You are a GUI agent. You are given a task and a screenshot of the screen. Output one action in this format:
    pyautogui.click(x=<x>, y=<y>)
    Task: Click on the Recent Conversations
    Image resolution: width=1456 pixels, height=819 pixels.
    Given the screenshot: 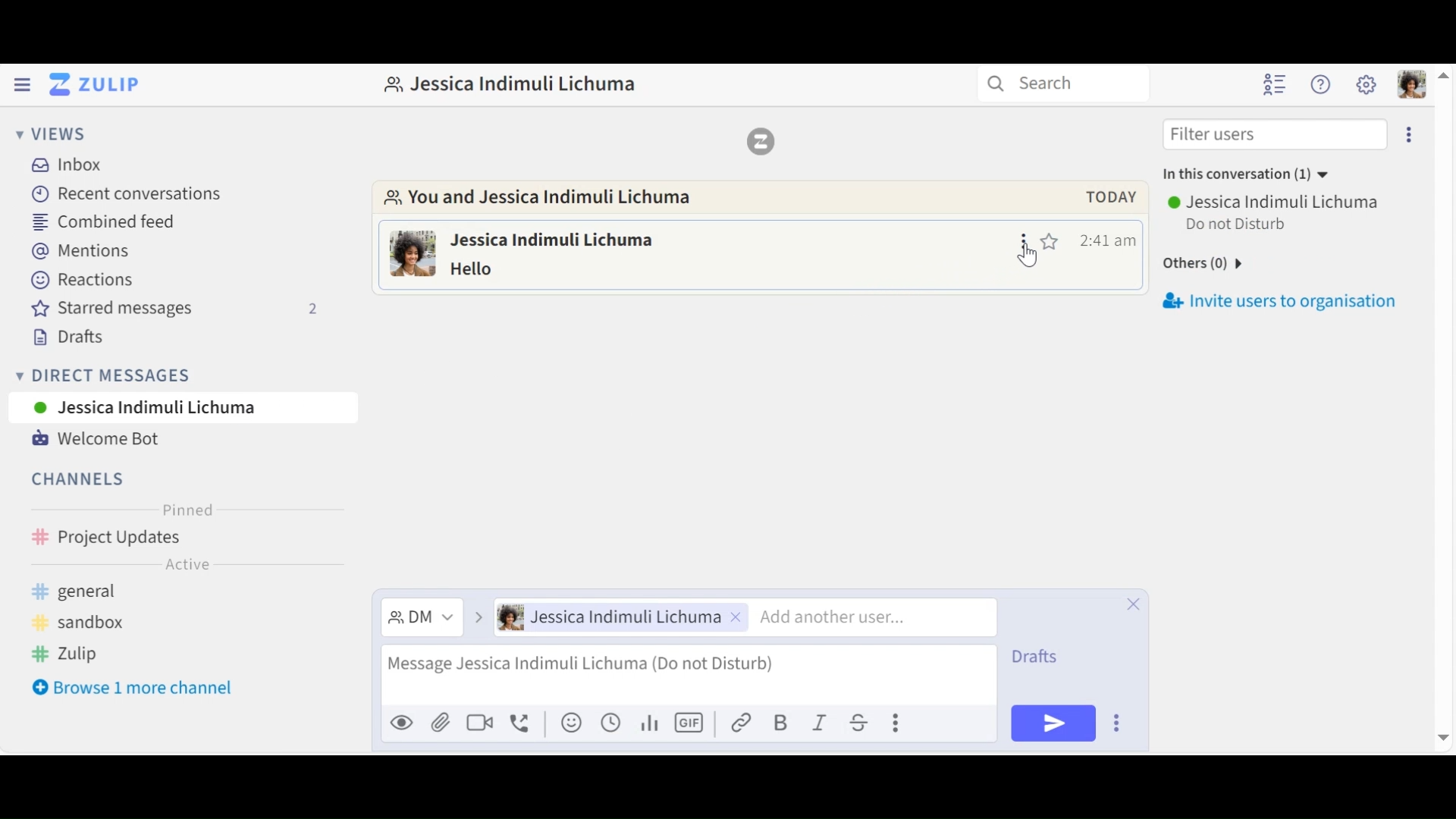 What is the action you would take?
    pyautogui.click(x=128, y=193)
    